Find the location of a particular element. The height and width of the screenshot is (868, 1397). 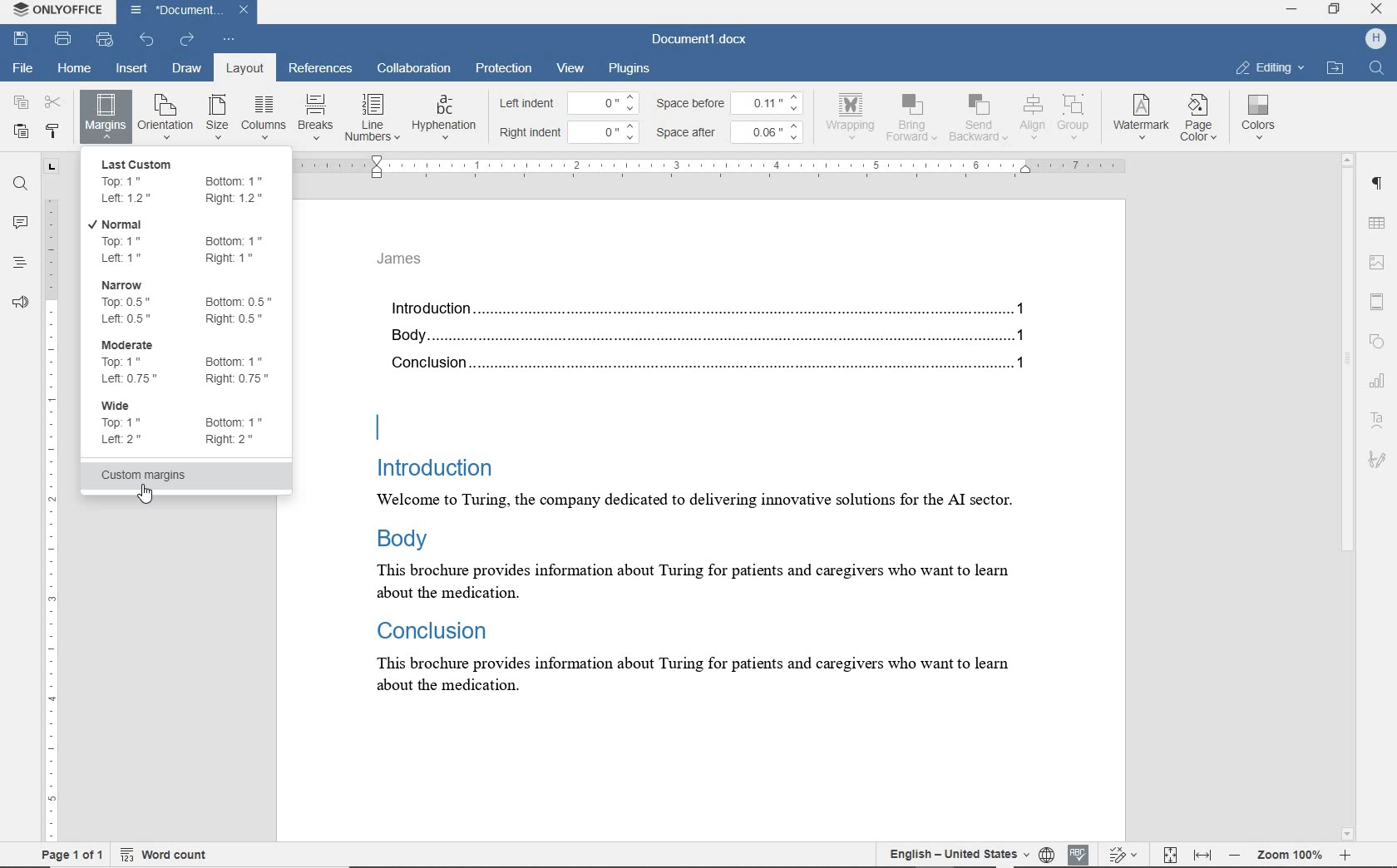

cut is located at coordinates (54, 101).